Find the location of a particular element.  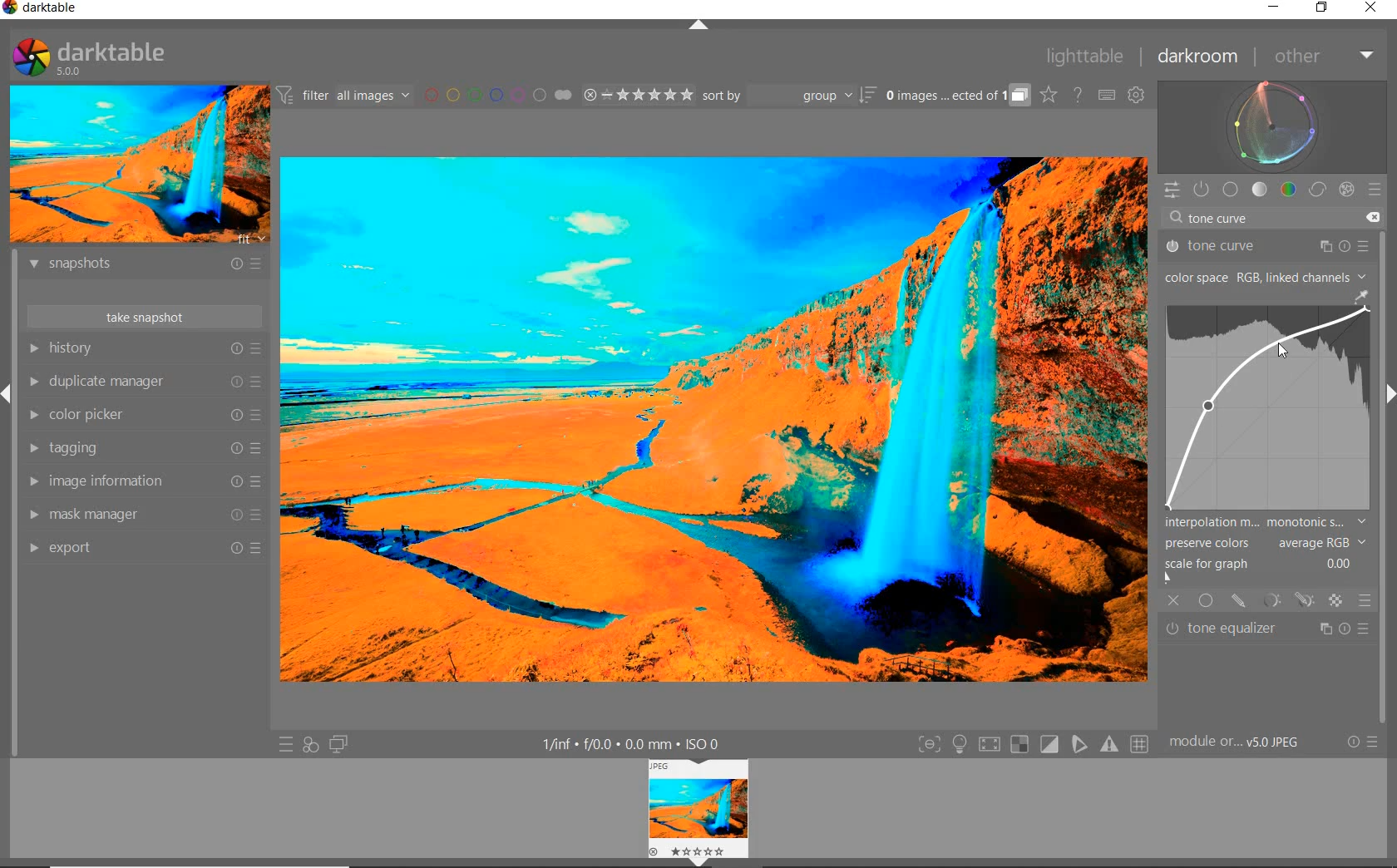

INTERPOLATION is located at coordinates (1266, 524).